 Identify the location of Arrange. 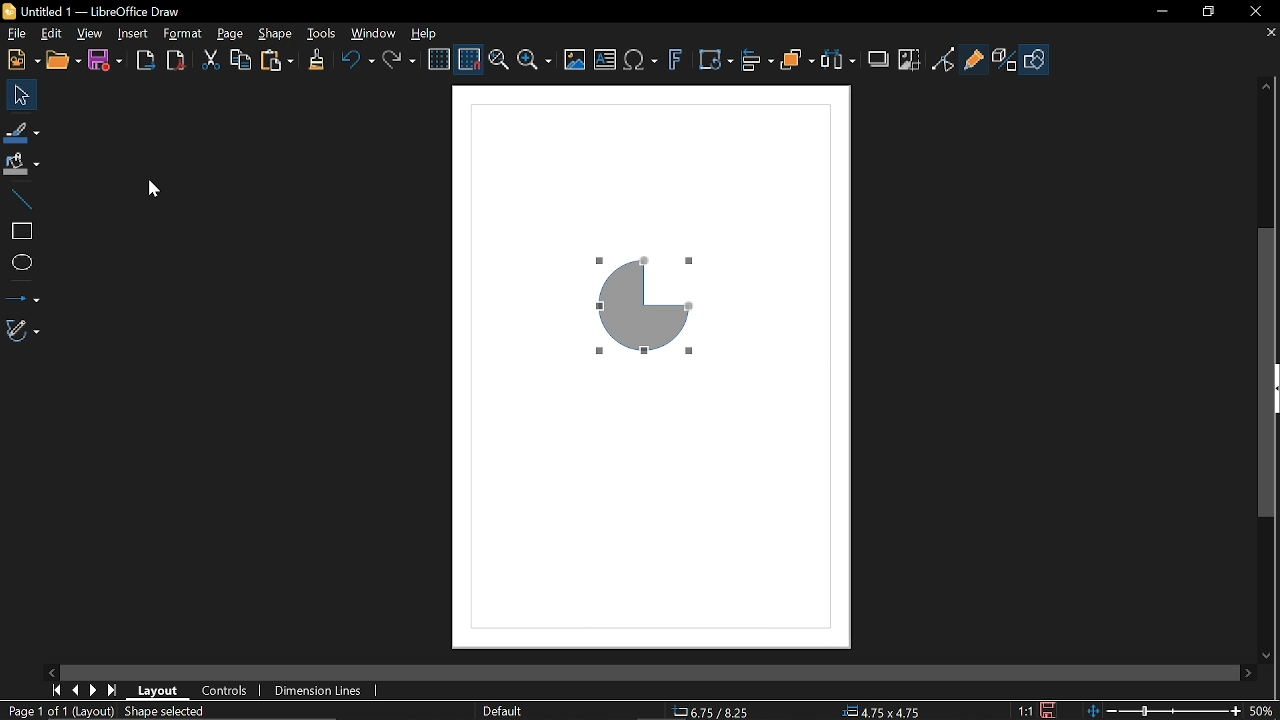
(798, 62).